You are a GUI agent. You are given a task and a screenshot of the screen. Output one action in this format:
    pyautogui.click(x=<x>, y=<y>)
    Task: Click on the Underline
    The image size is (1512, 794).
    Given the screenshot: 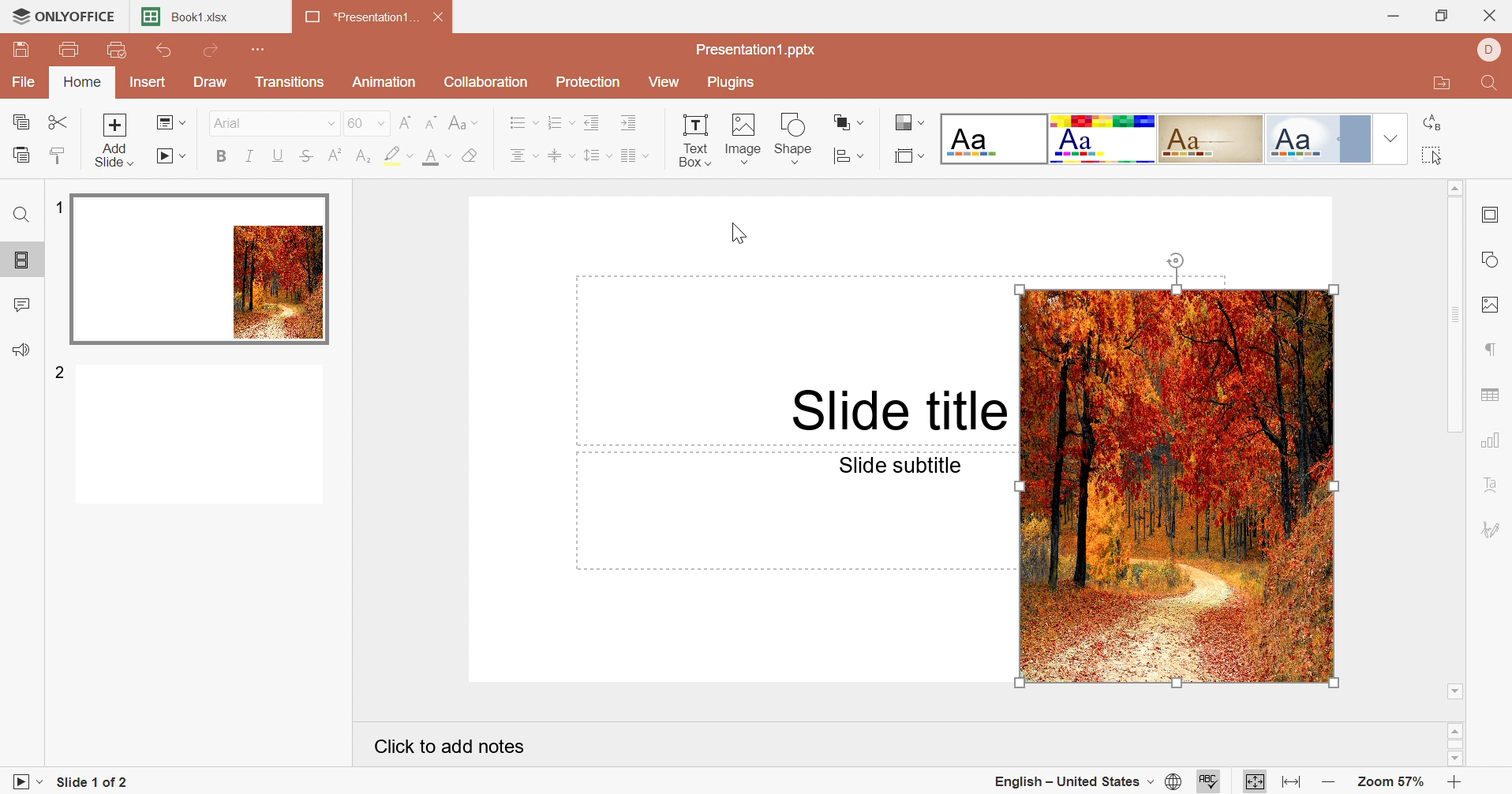 What is the action you would take?
    pyautogui.click(x=276, y=155)
    